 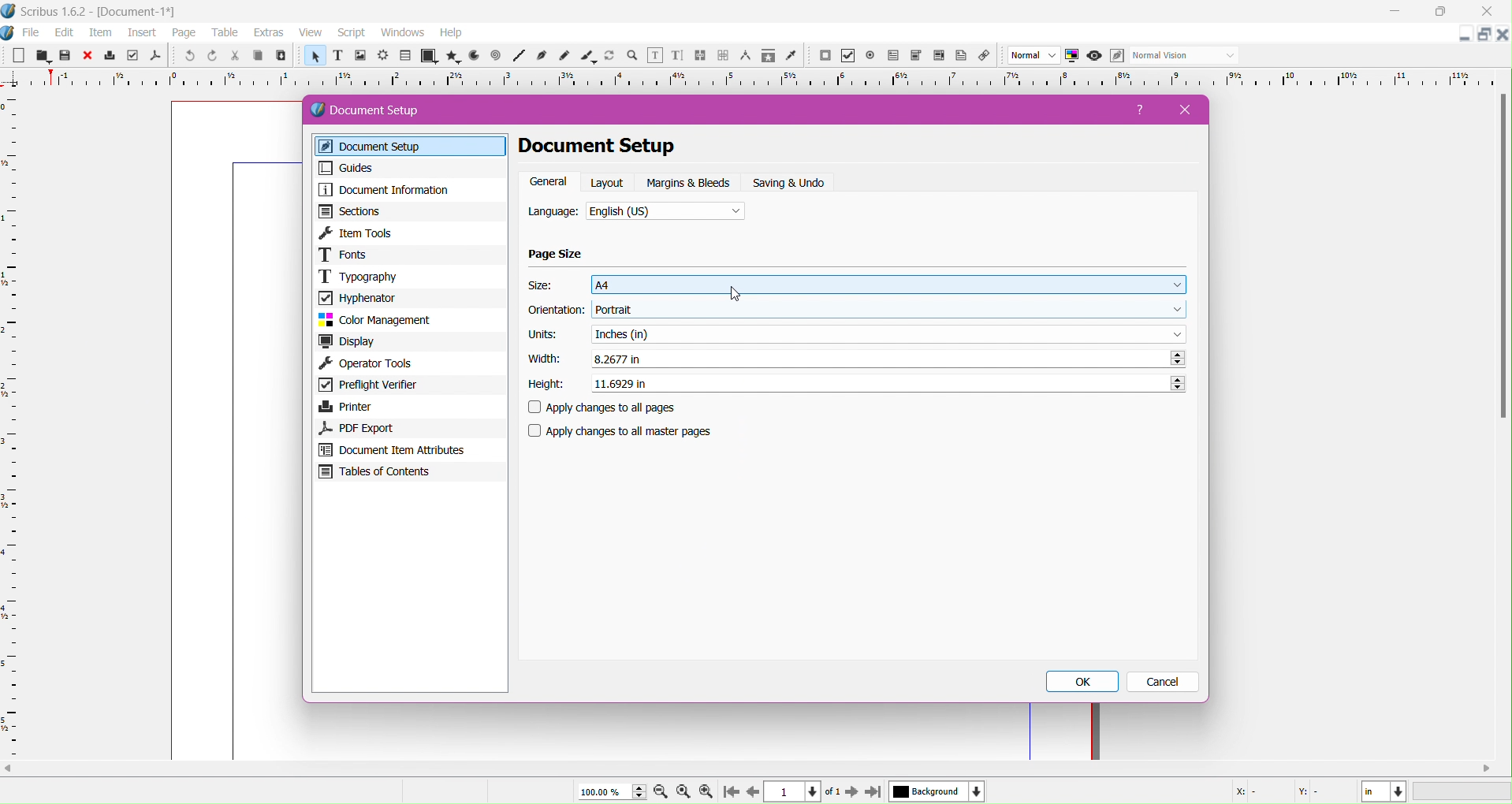 What do you see at coordinates (654, 56) in the screenshot?
I see `edit contents of frames` at bounding box center [654, 56].